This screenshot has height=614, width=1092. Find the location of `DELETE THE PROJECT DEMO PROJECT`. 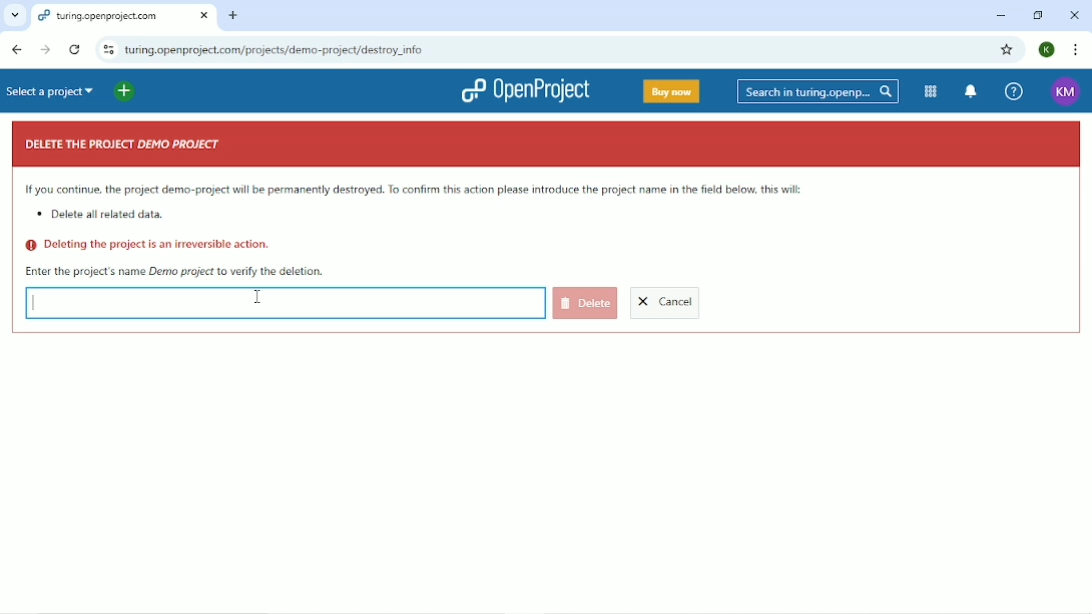

DELETE THE PROJECT DEMO PROJECT is located at coordinates (125, 145).